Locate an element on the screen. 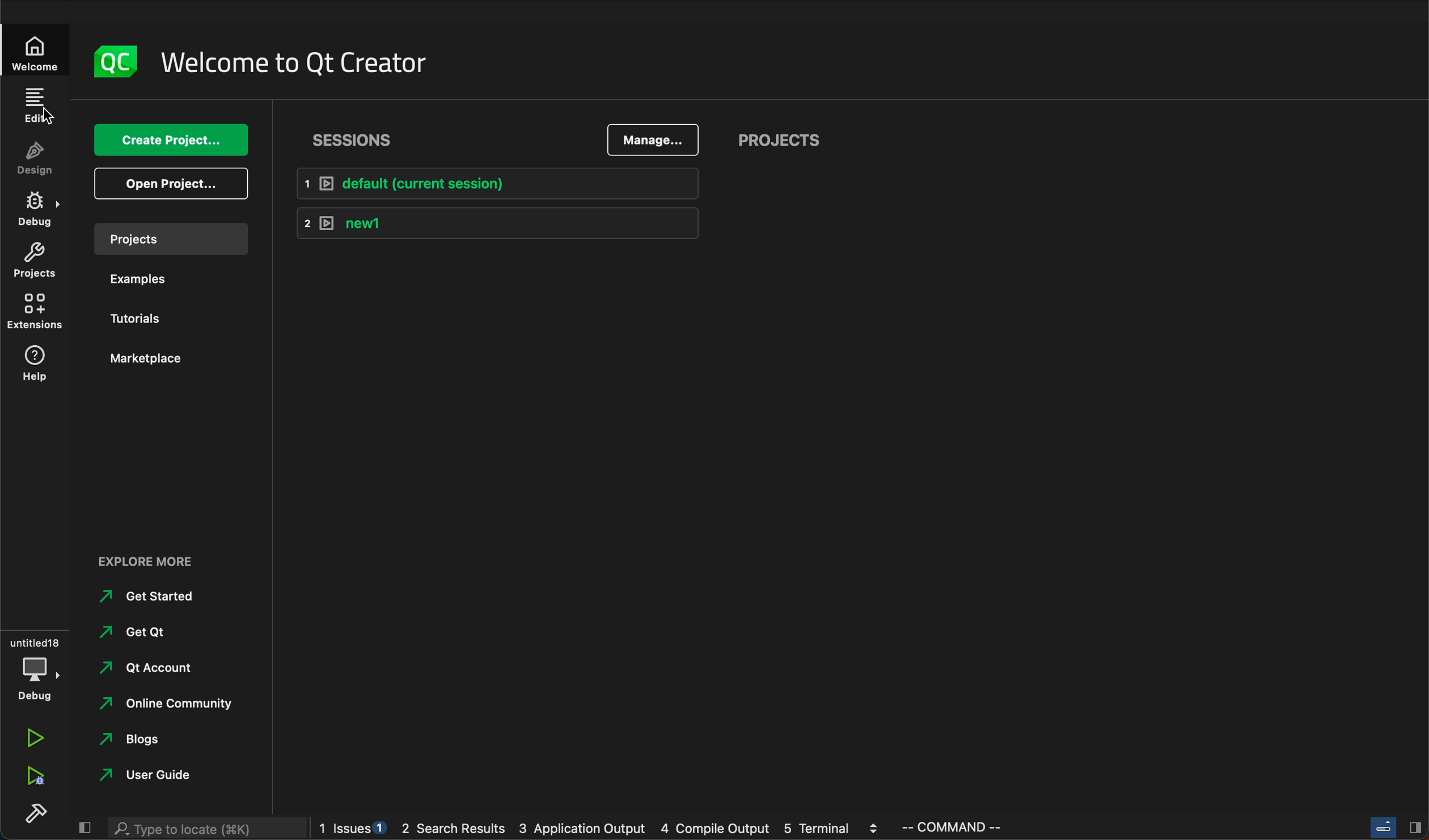  compile output is located at coordinates (719, 830).